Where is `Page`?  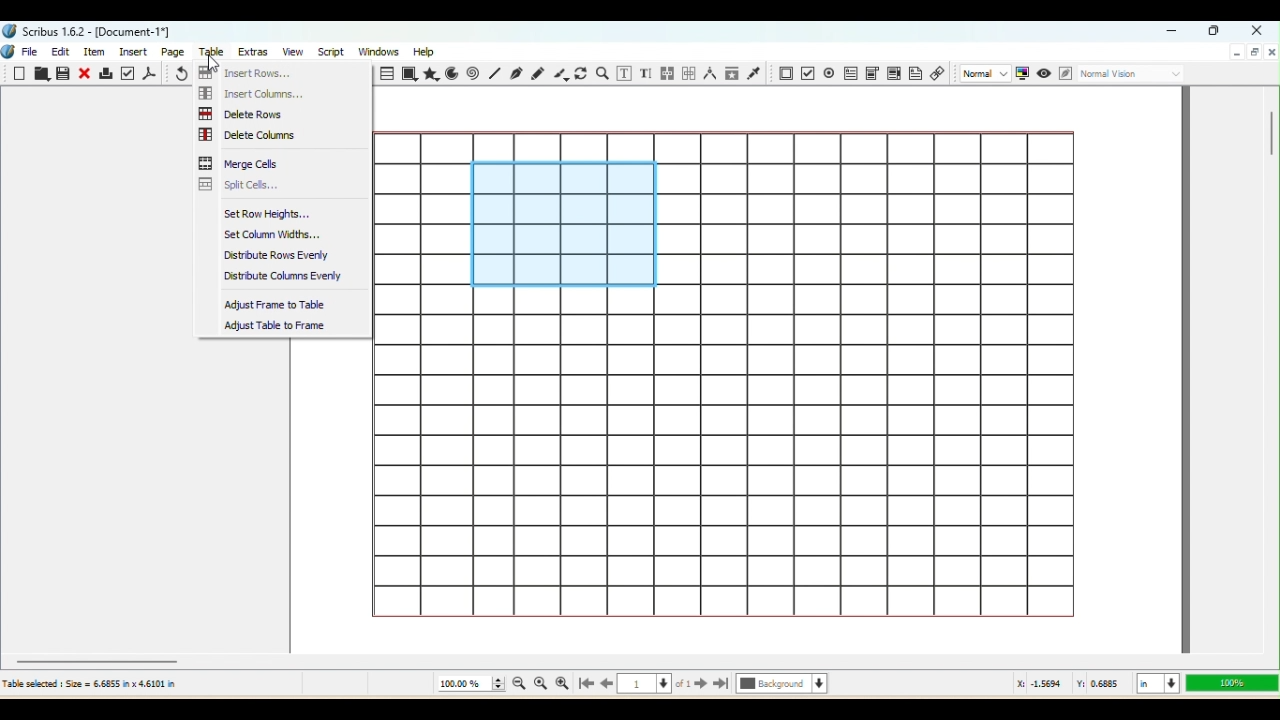
Page is located at coordinates (175, 51).